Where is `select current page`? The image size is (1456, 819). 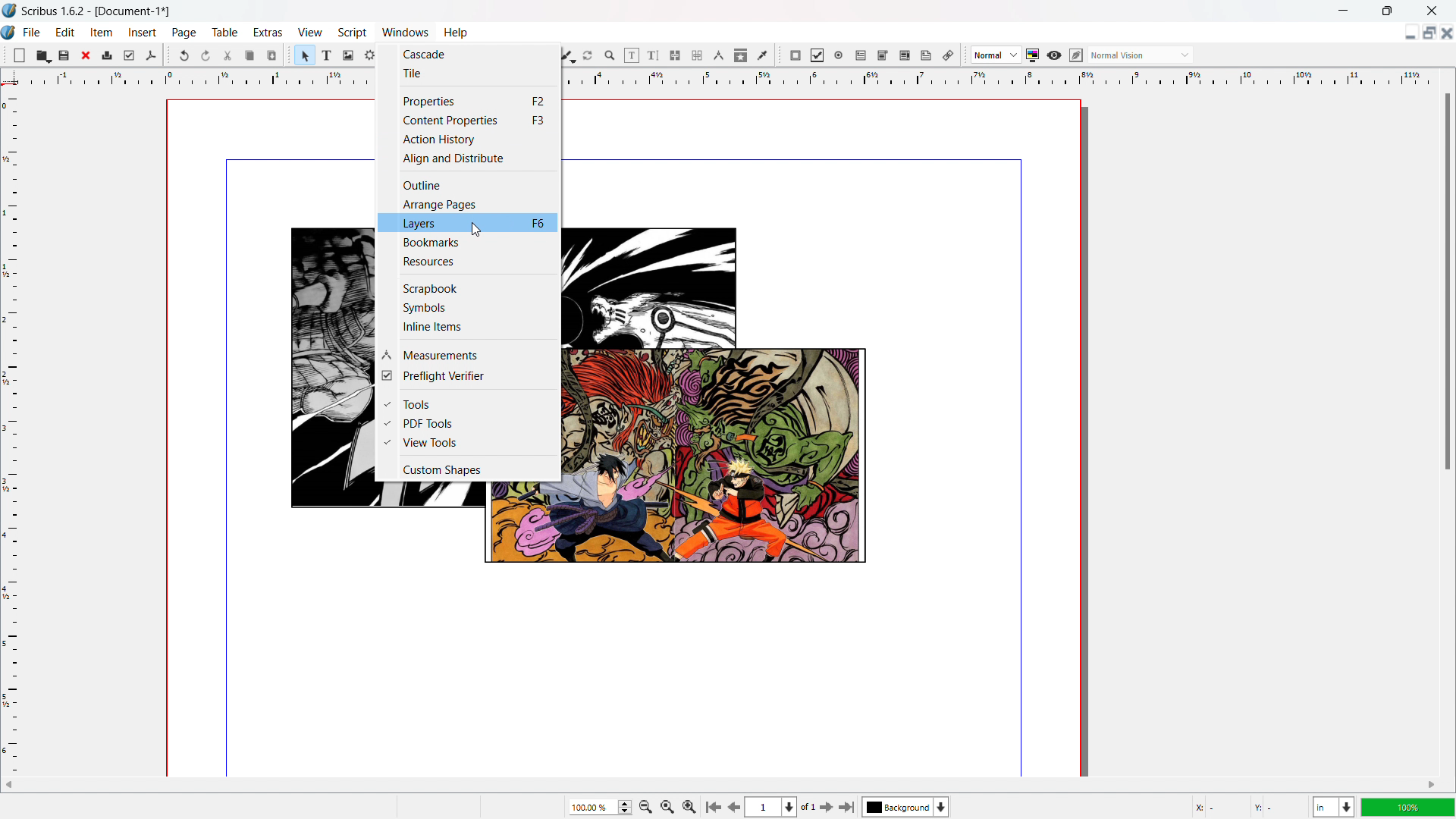
select current page is located at coordinates (772, 807).